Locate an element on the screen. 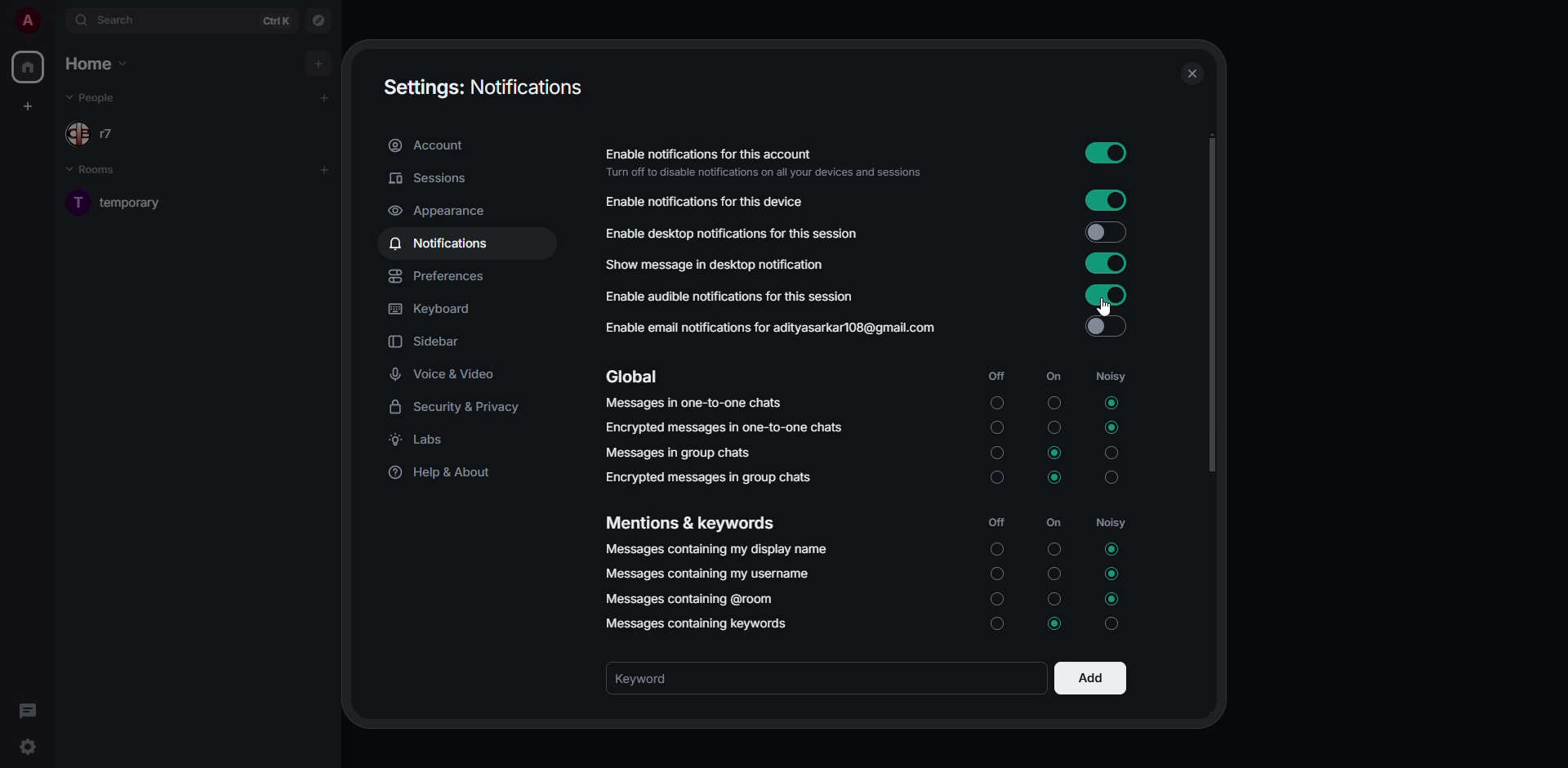  selected is located at coordinates (1112, 573).